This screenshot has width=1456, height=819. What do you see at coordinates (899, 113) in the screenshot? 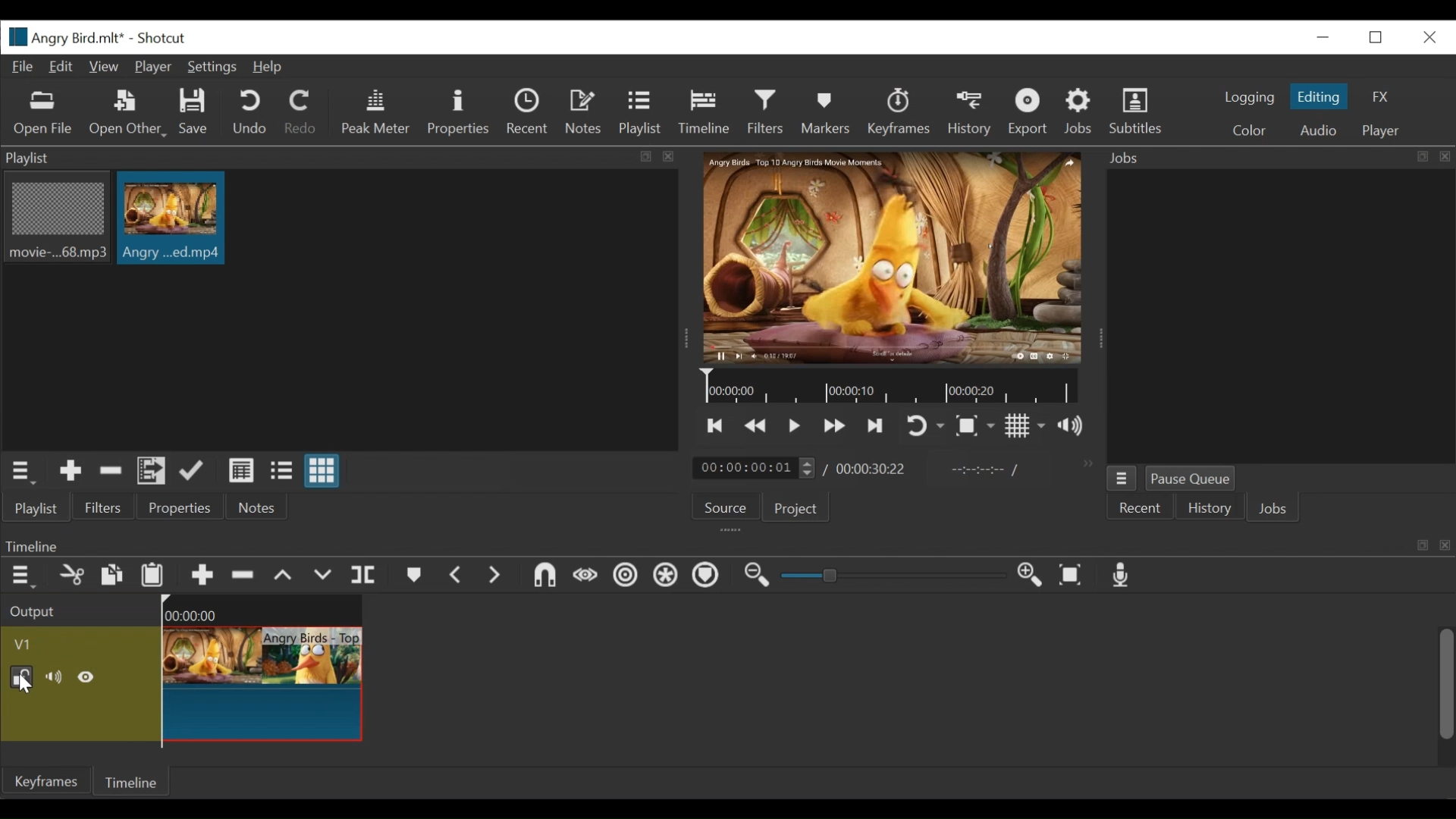
I see `Keyframes` at bounding box center [899, 113].